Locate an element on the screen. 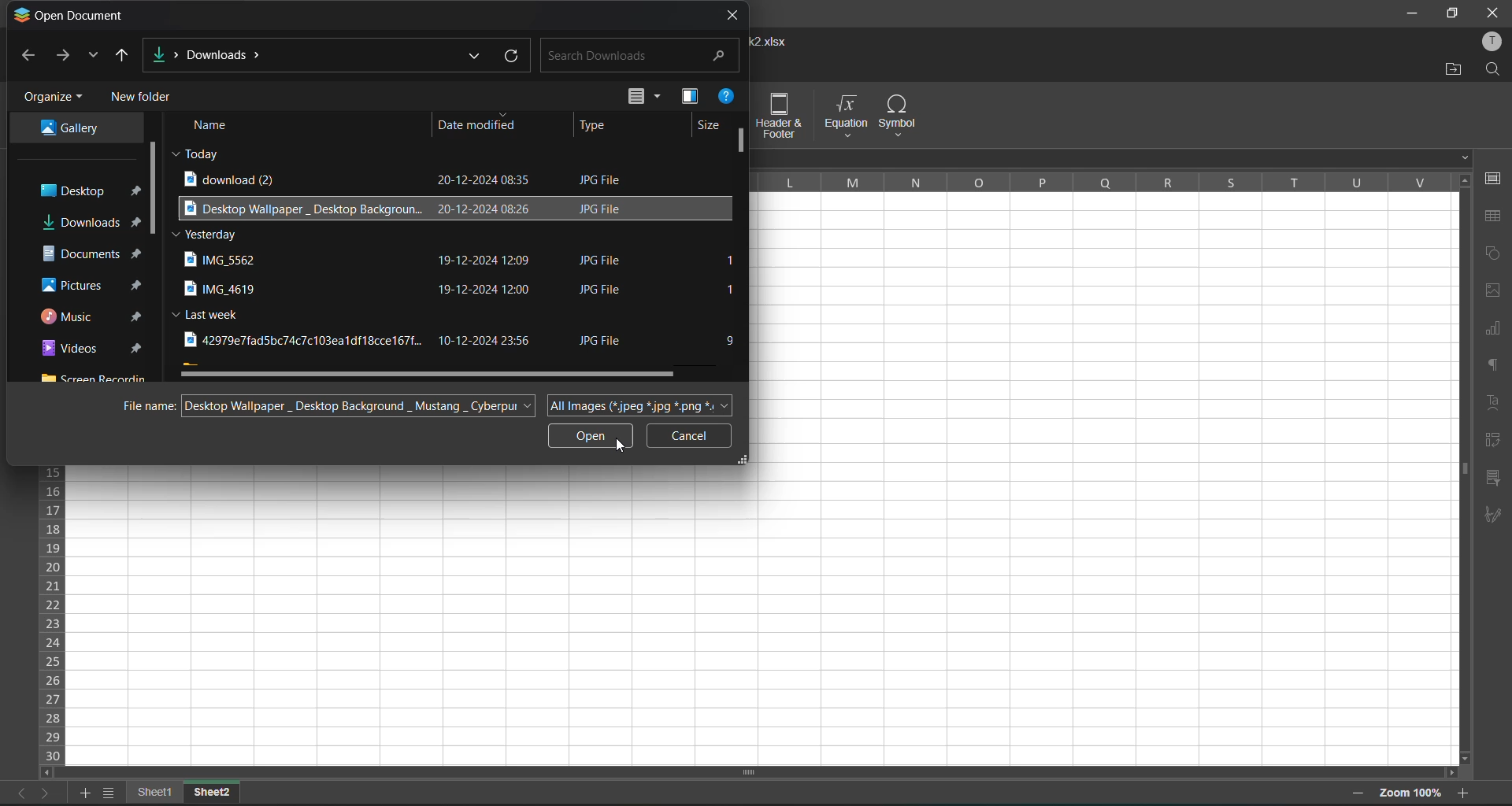 The image size is (1512, 806). zoom in is located at coordinates (1464, 790).